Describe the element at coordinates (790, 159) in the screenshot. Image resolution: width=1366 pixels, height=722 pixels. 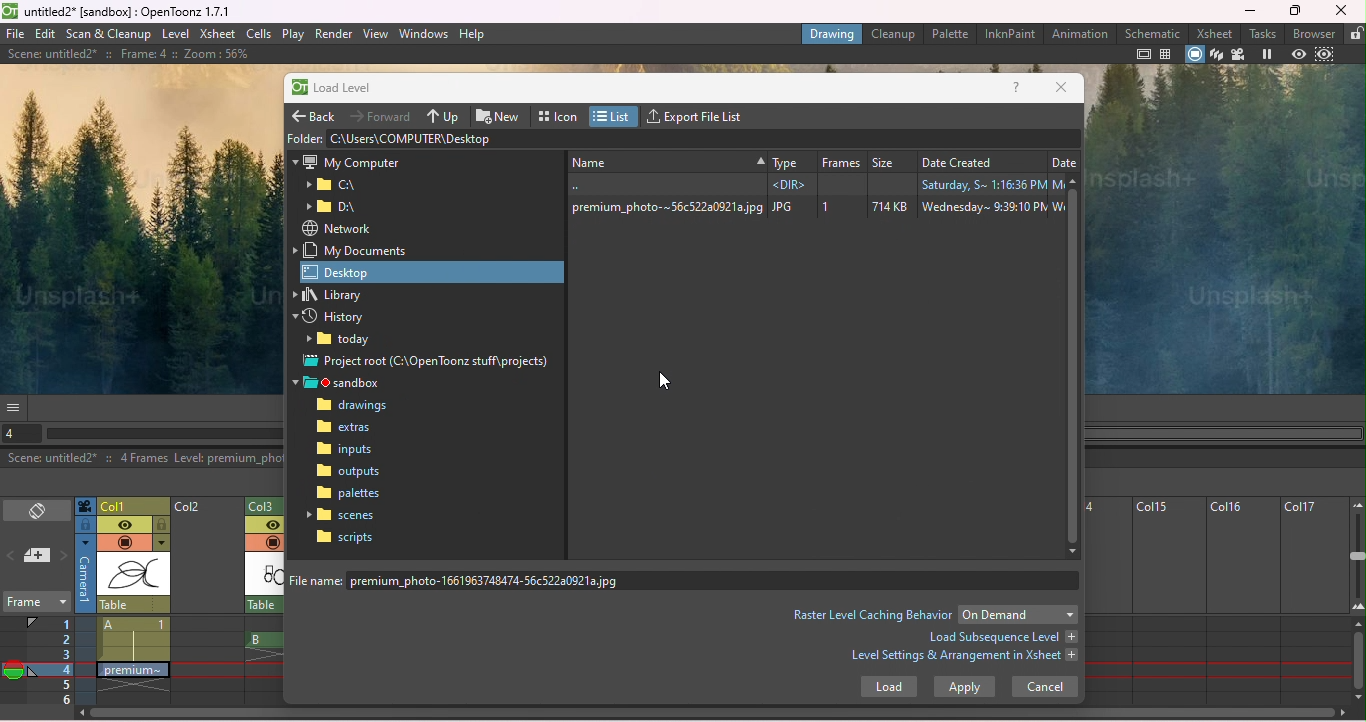
I see `Type` at that location.